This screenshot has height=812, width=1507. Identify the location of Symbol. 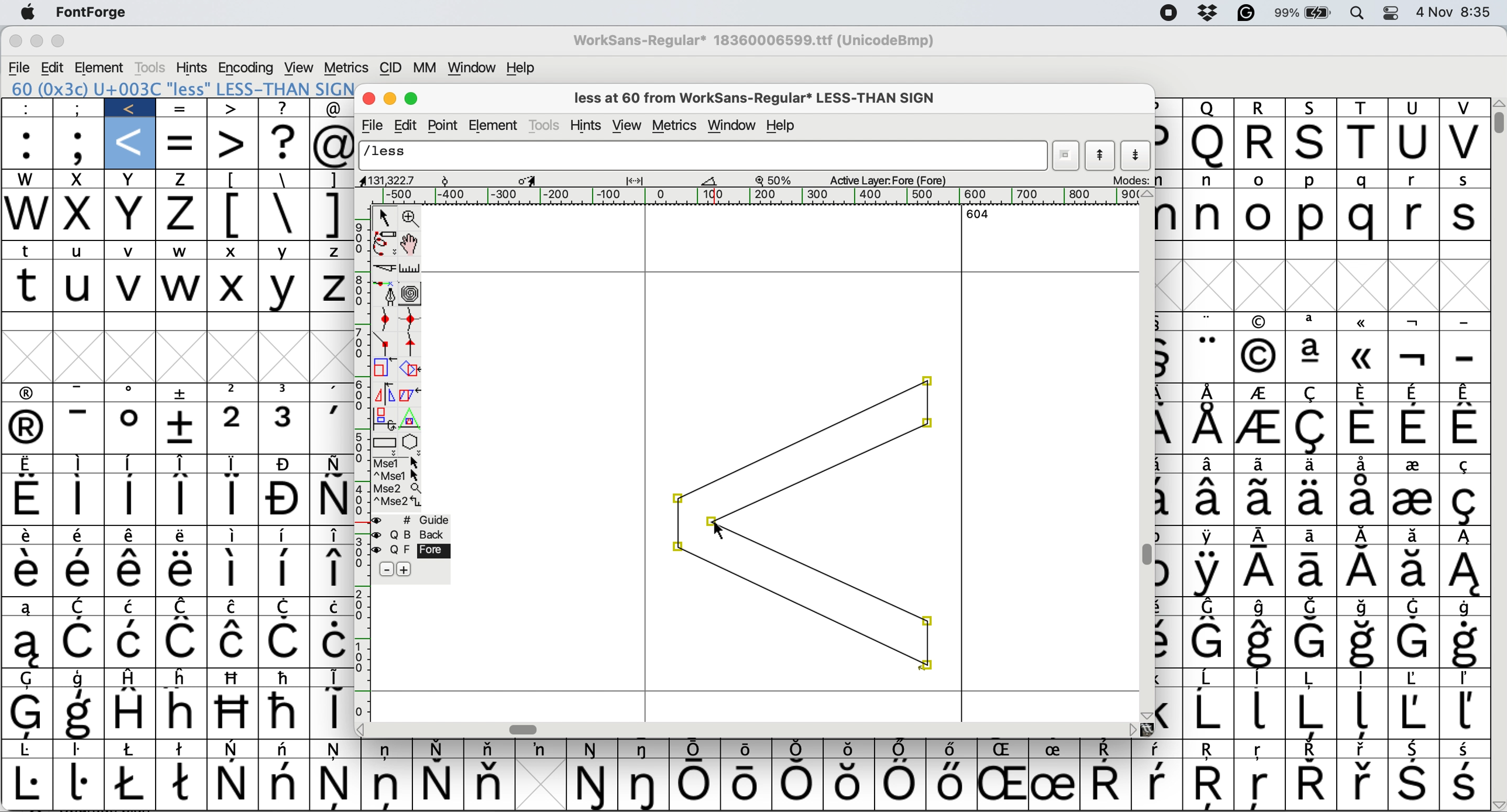
(699, 748).